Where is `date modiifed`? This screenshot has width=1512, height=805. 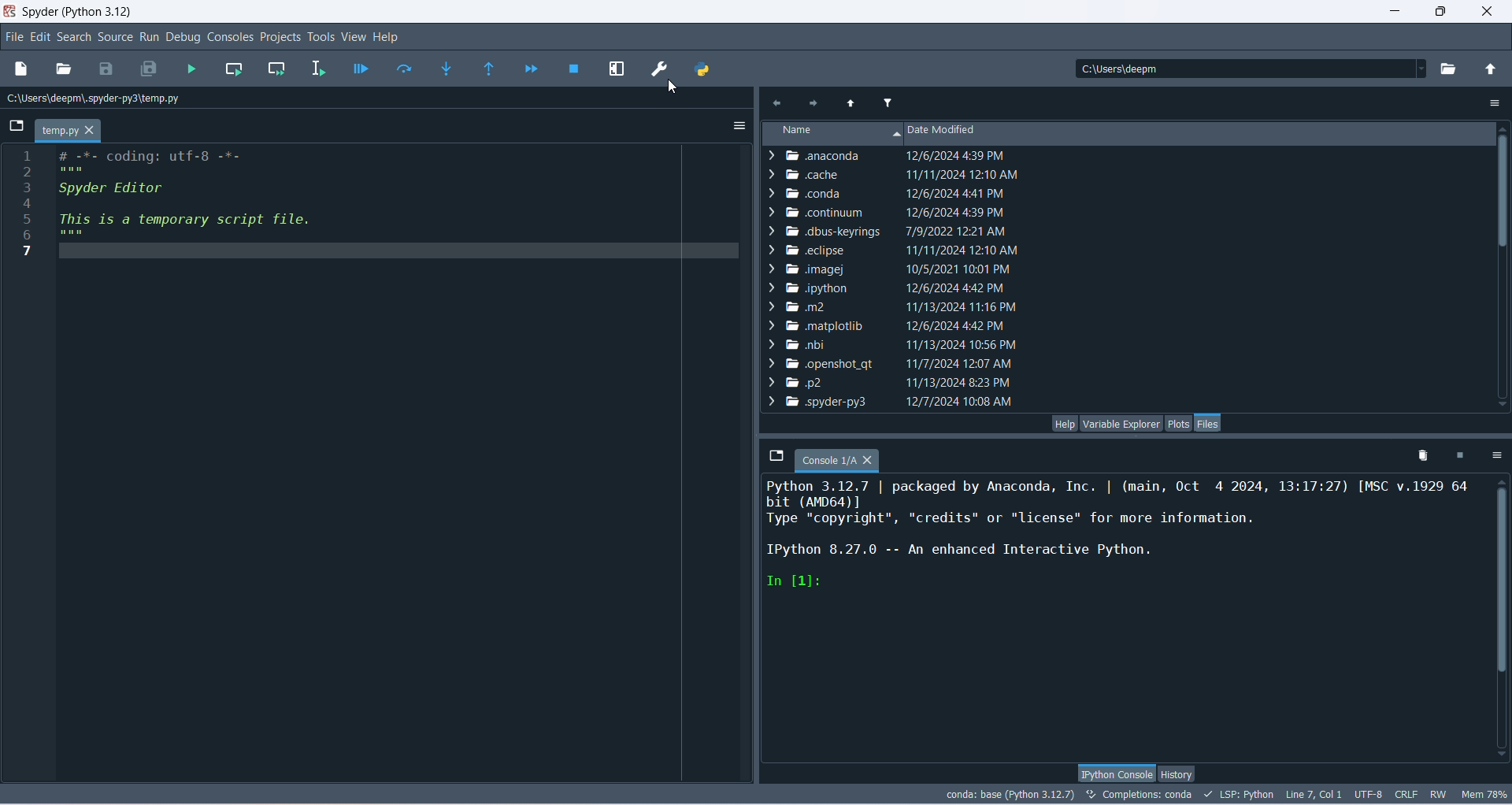 date modiifed is located at coordinates (966, 133).